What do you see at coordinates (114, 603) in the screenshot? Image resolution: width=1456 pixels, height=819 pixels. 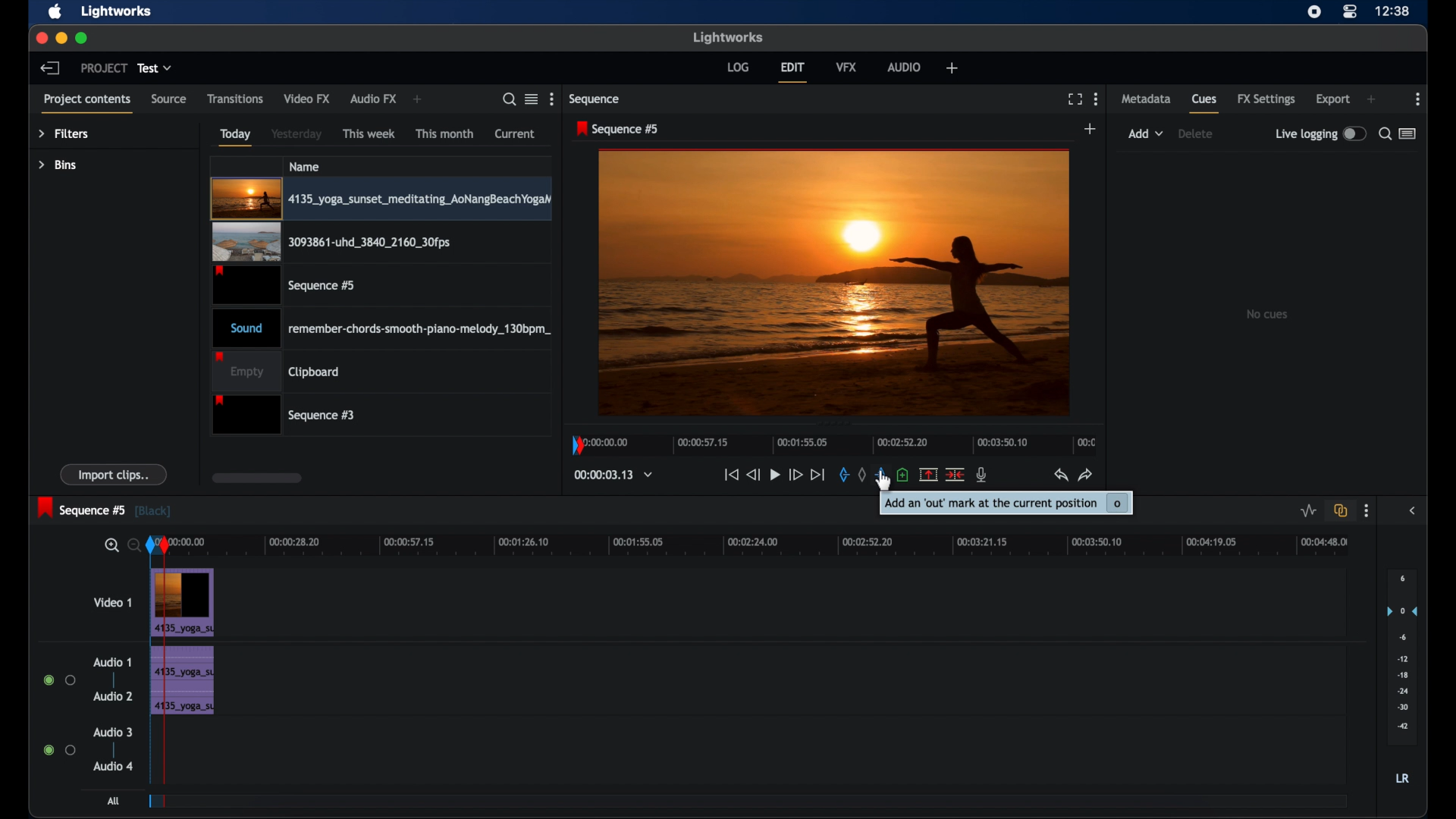 I see `video 1` at bounding box center [114, 603].